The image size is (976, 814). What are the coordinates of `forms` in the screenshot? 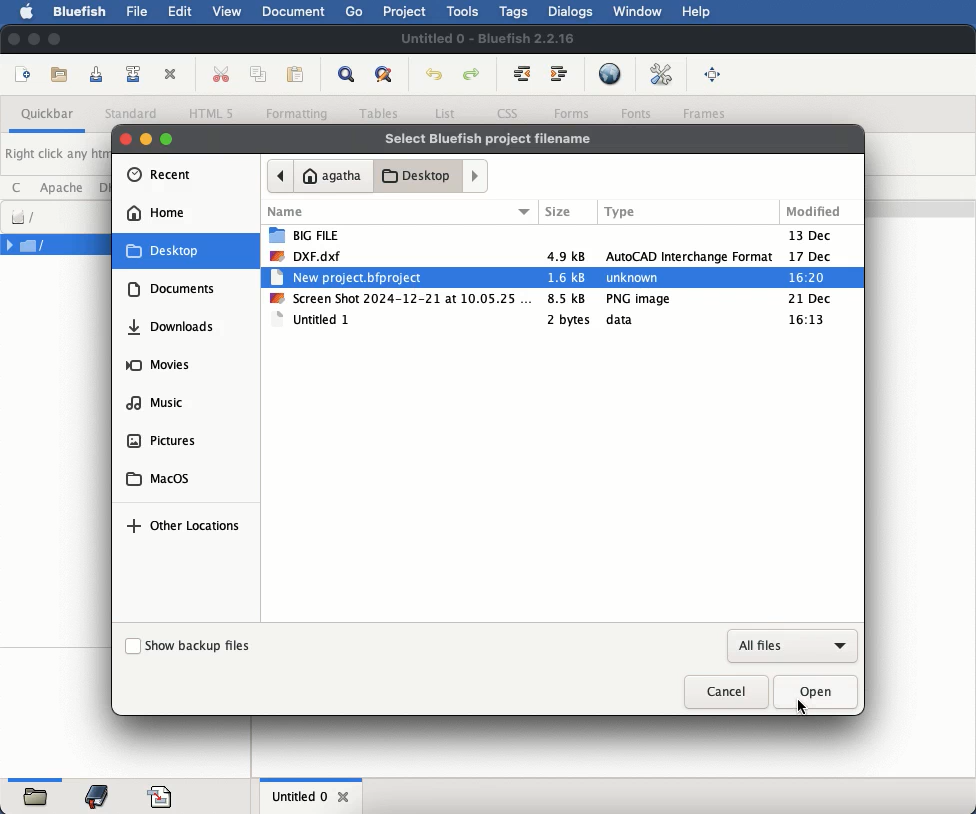 It's located at (572, 114).